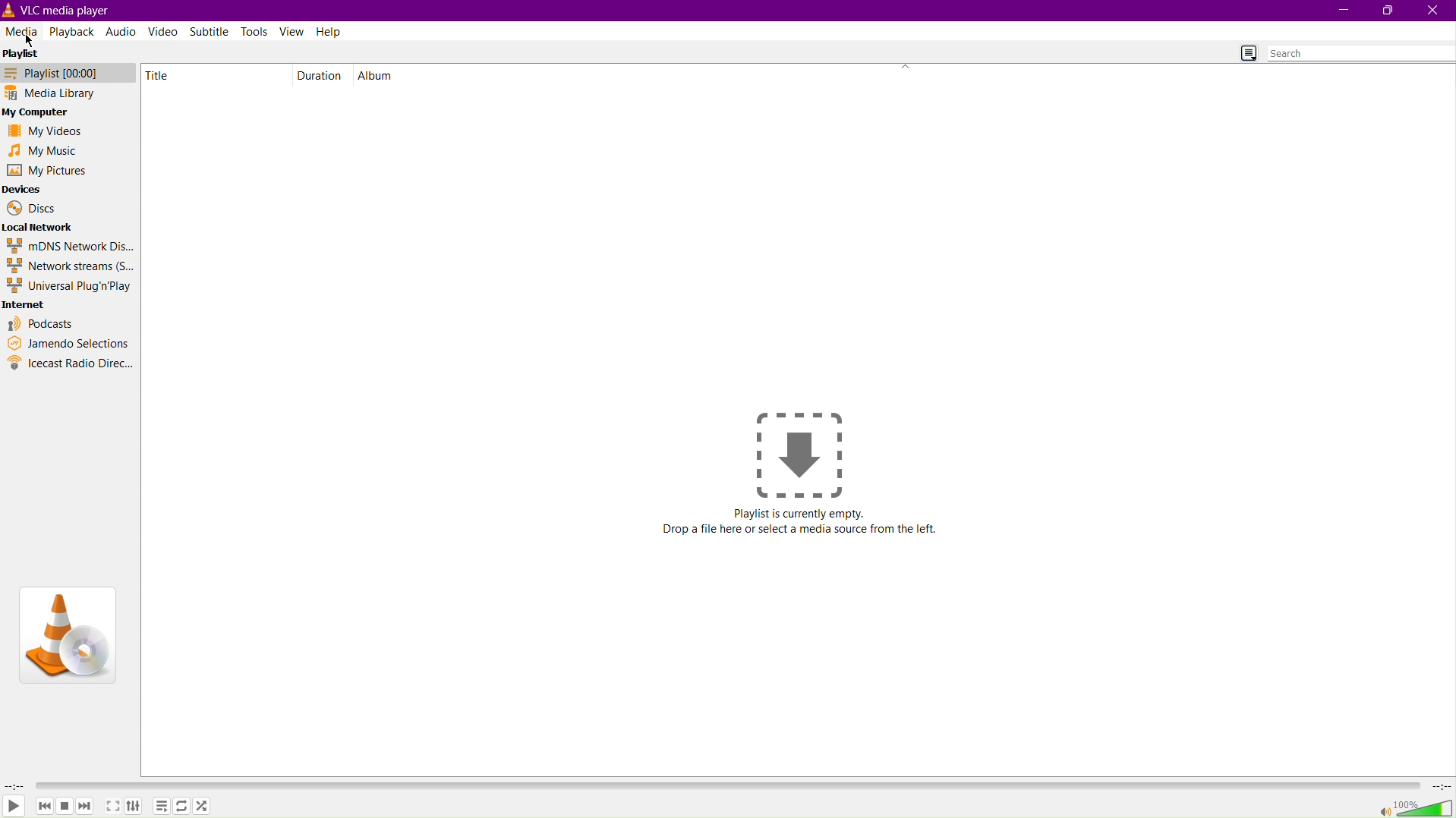 The height and width of the screenshot is (818, 1456). What do you see at coordinates (800, 530) in the screenshot?
I see `Drop a file here or select a media source from the left.` at bounding box center [800, 530].